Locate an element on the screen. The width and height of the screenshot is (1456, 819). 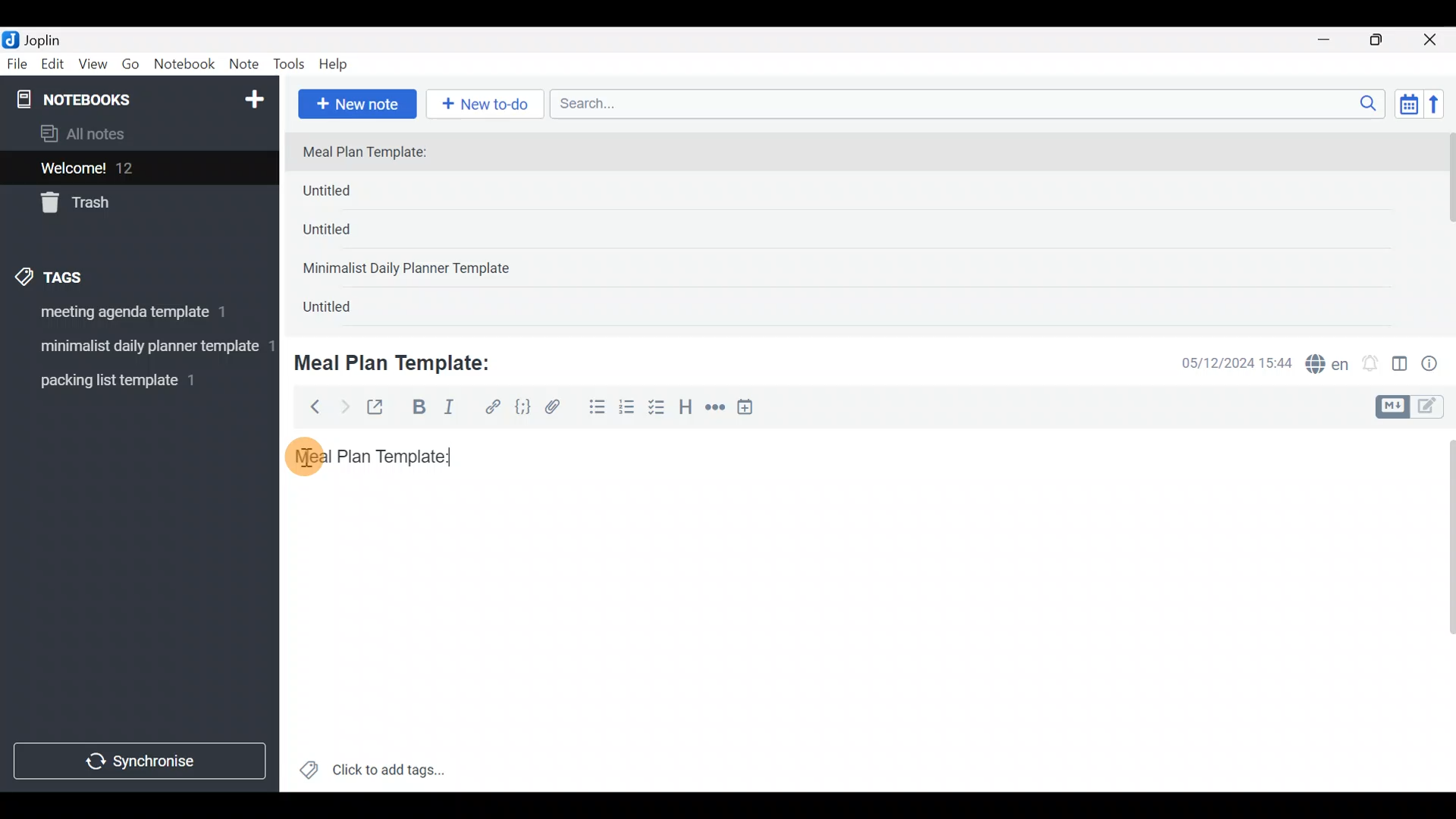
Notebooks is located at coordinates (107, 99).